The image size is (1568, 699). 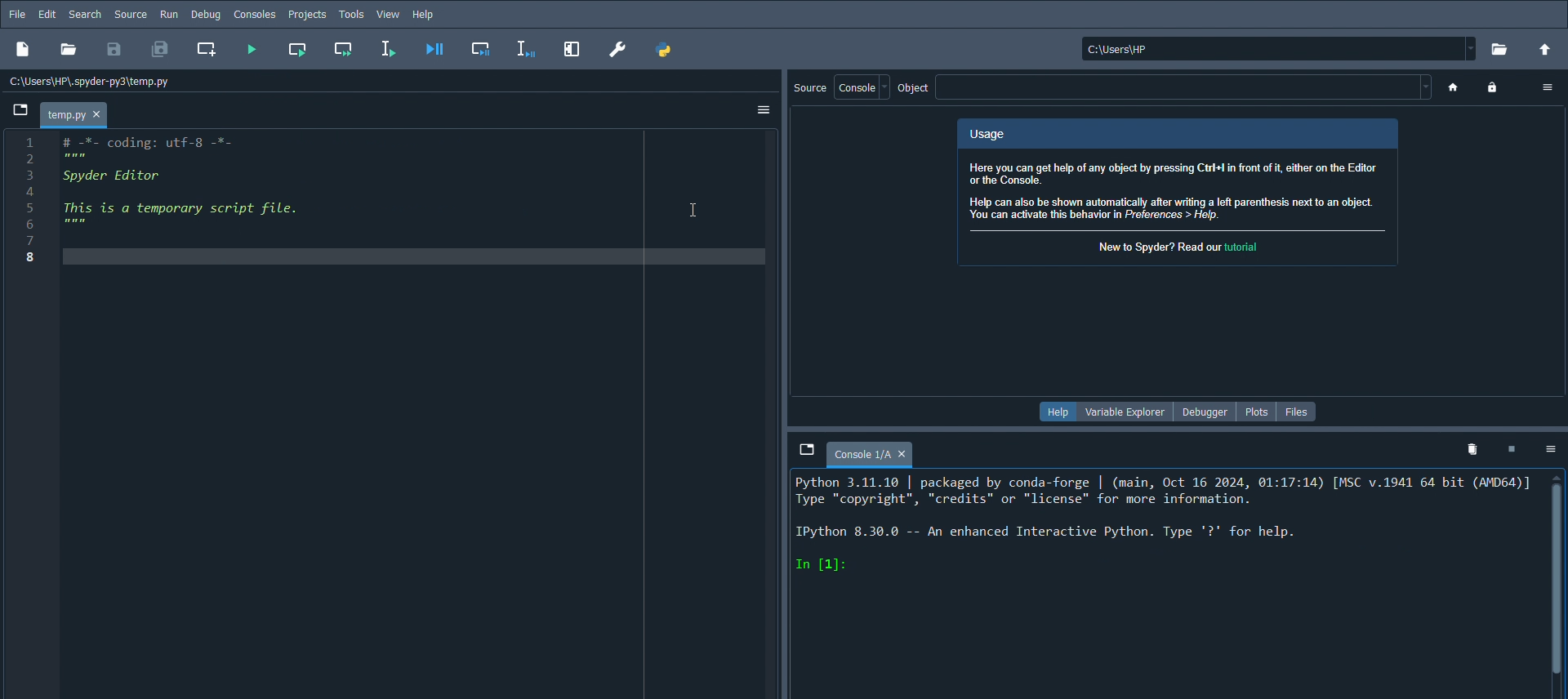 I want to click on File path, so click(x=91, y=80).